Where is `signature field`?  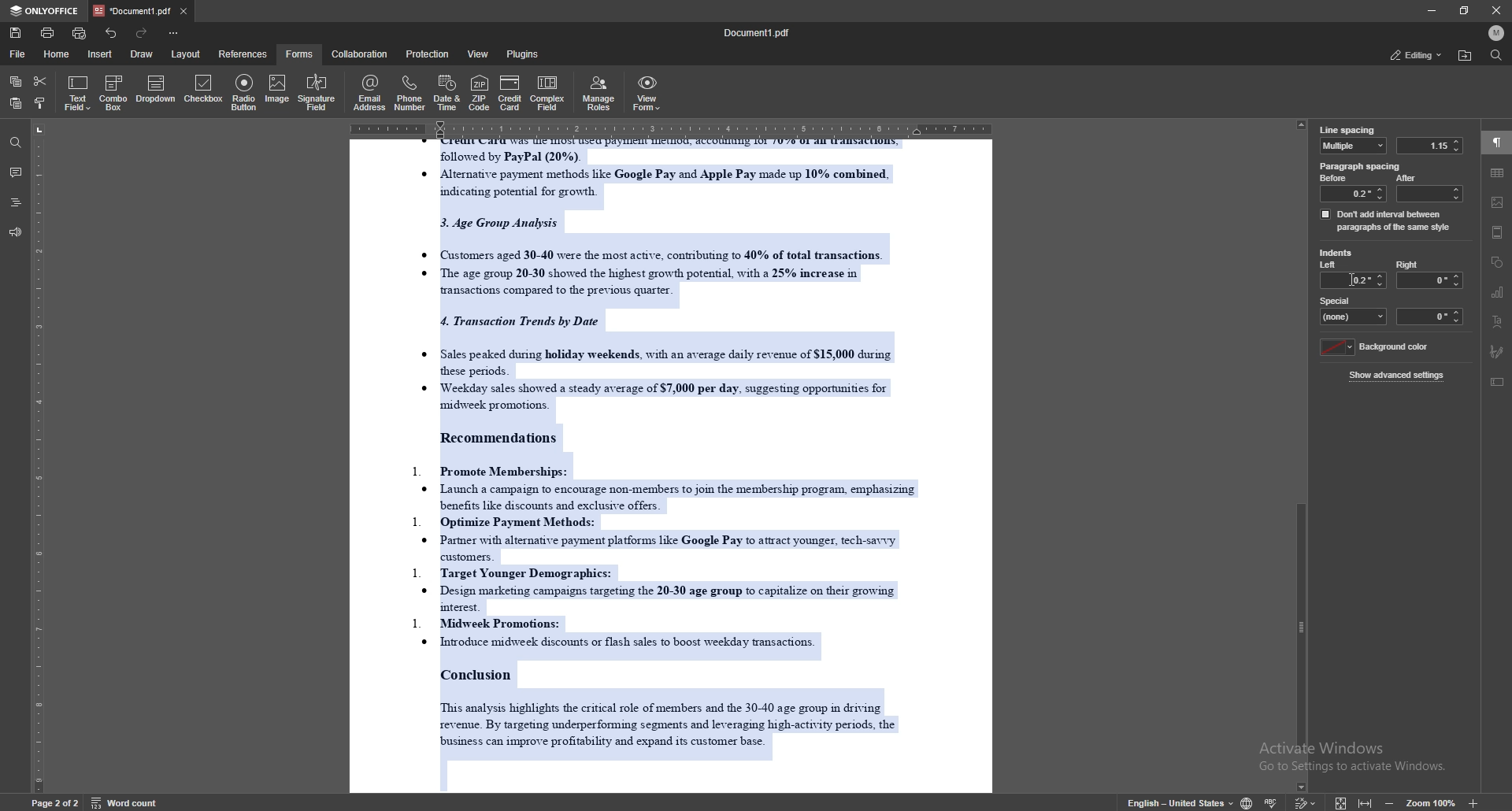
signature field is located at coordinates (317, 94).